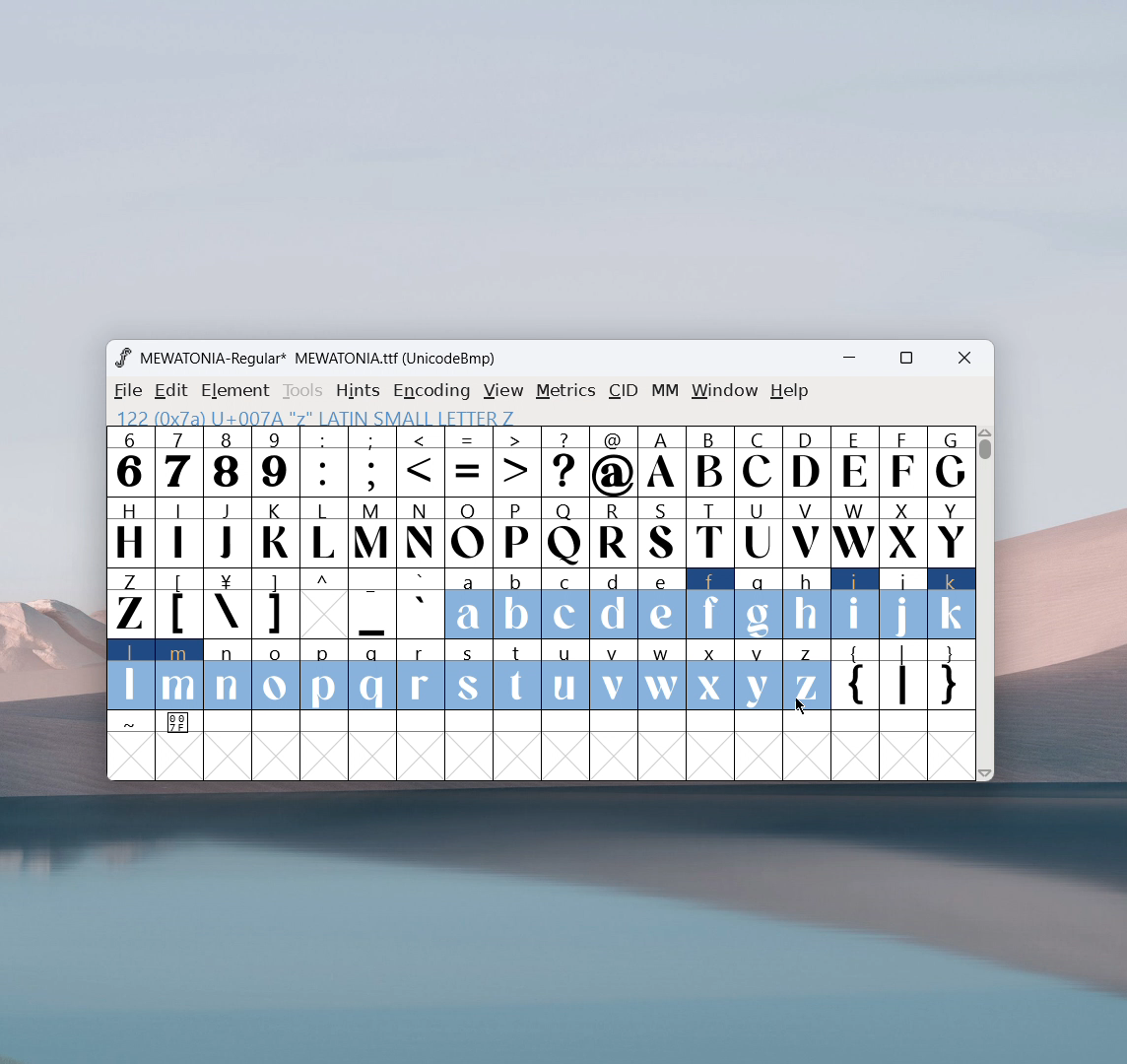 The image size is (1127, 1064). I want to click on 8, so click(227, 461).